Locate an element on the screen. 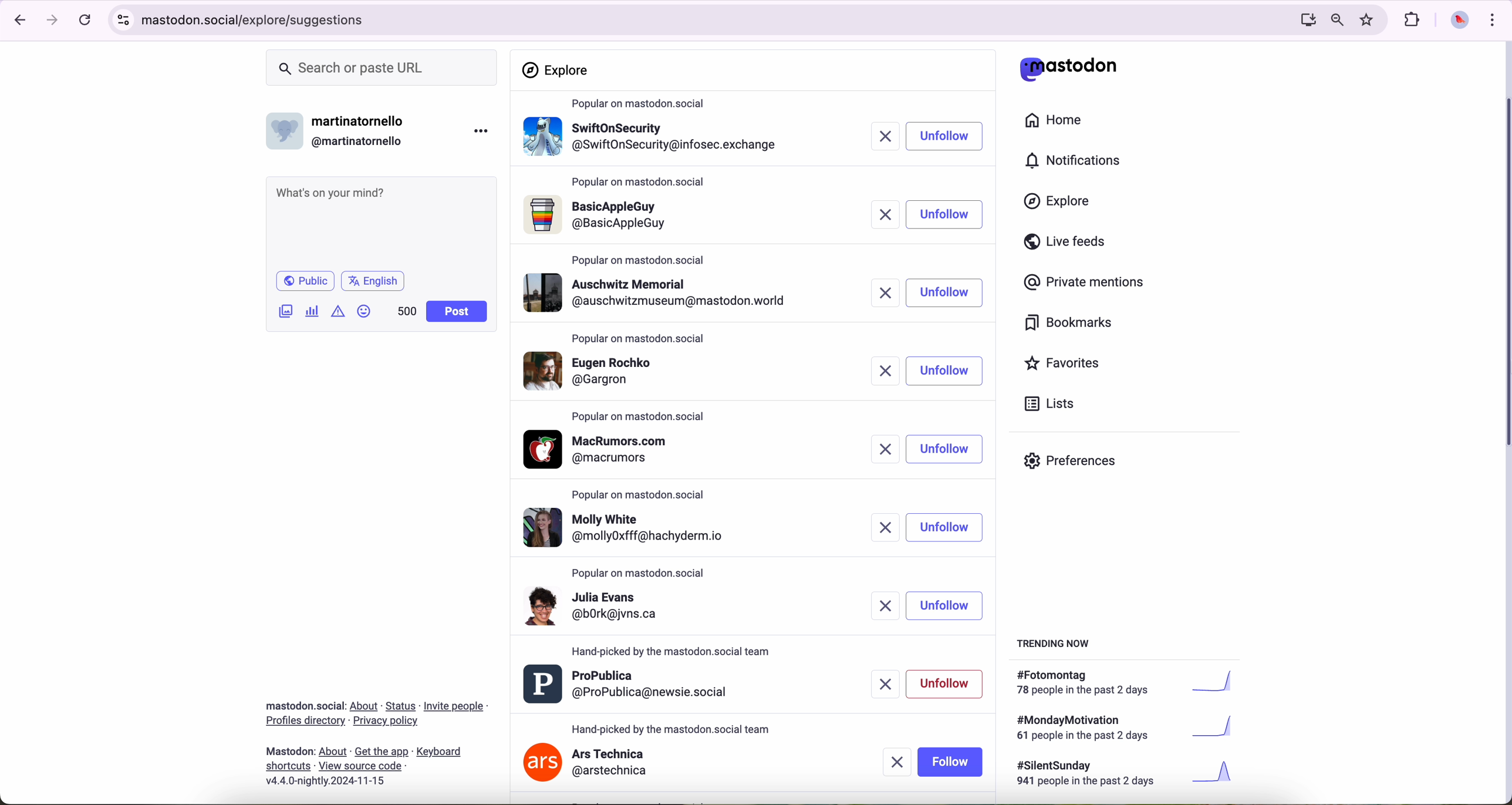 The height and width of the screenshot is (805, 1512). scroll bar is located at coordinates (1503, 275).